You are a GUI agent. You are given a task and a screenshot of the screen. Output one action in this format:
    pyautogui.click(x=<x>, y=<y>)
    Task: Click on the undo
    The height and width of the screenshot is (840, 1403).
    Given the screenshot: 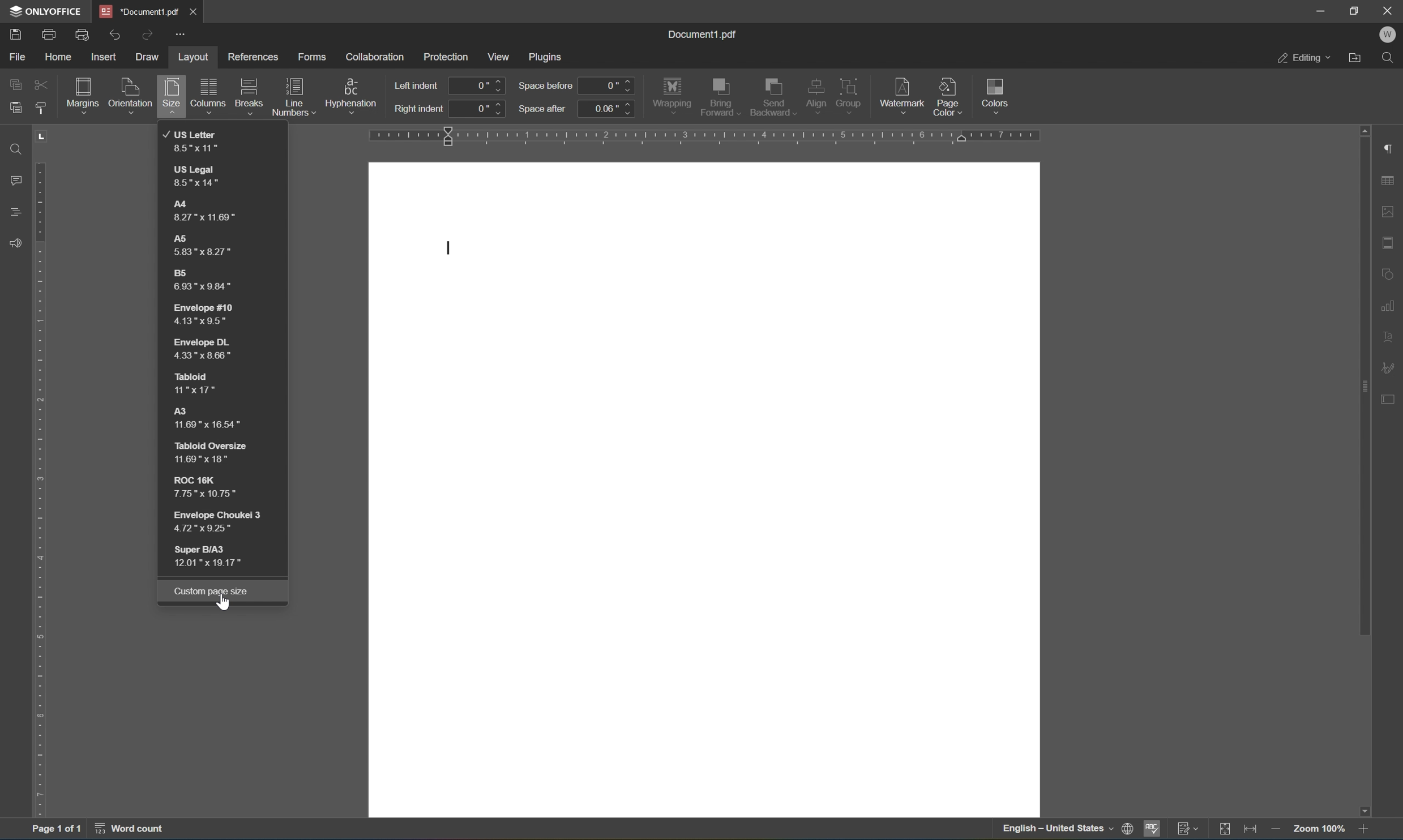 What is the action you would take?
    pyautogui.click(x=118, y=32)
    